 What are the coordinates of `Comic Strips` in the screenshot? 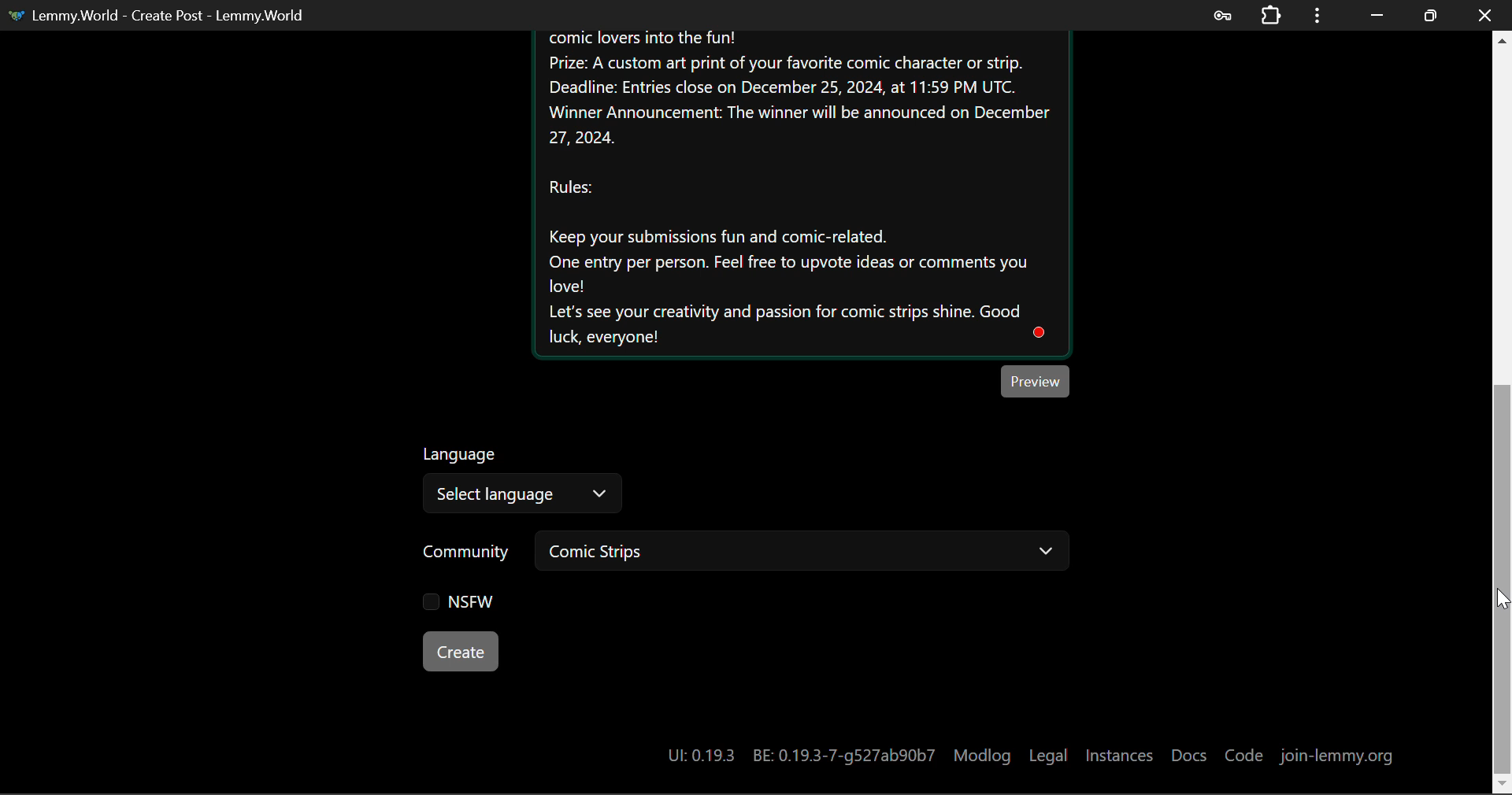 It's located at (800, 553).